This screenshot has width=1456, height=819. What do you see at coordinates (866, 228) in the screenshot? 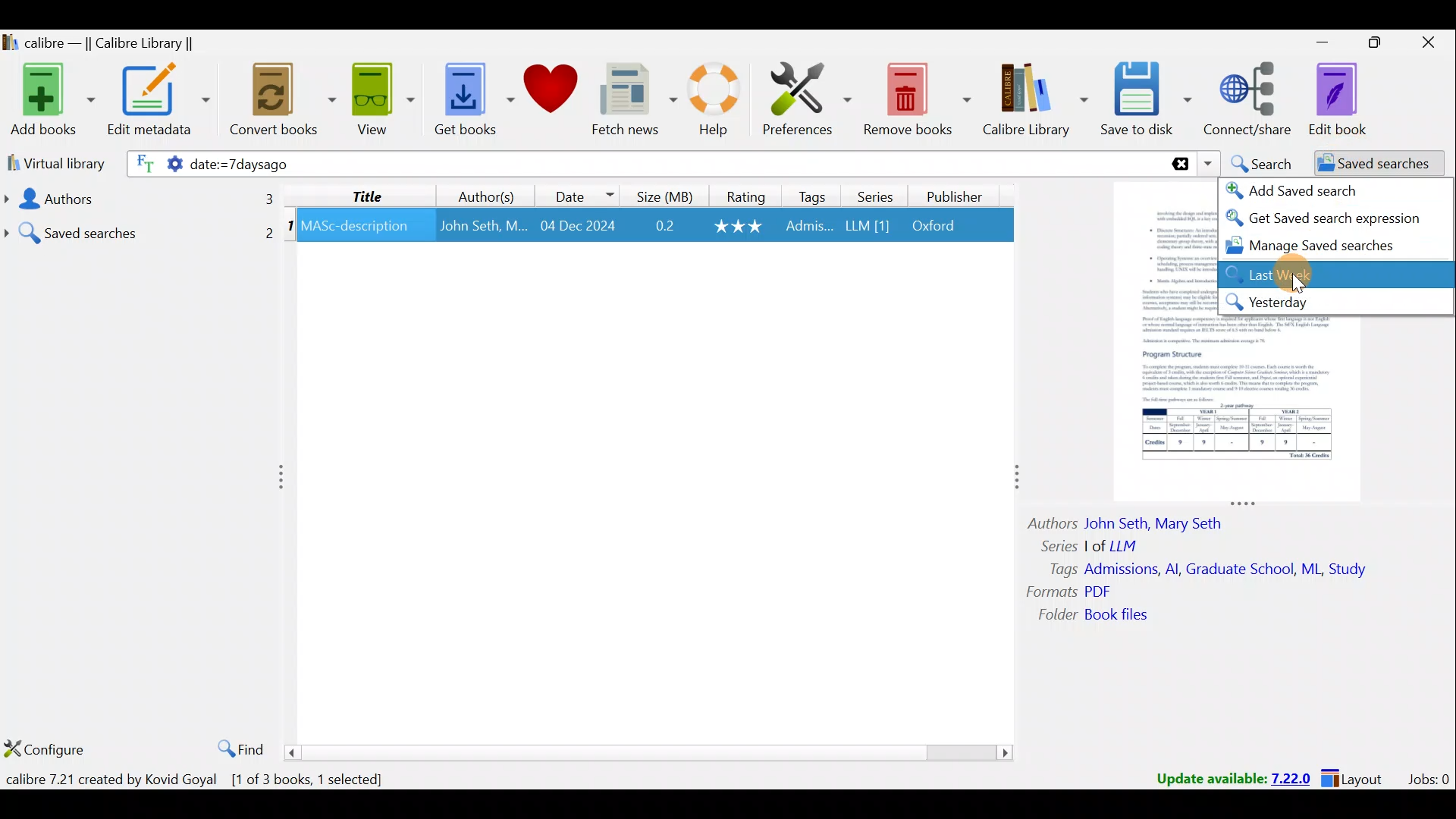
I see `LLM [1]` at bounding box center [866, 228].